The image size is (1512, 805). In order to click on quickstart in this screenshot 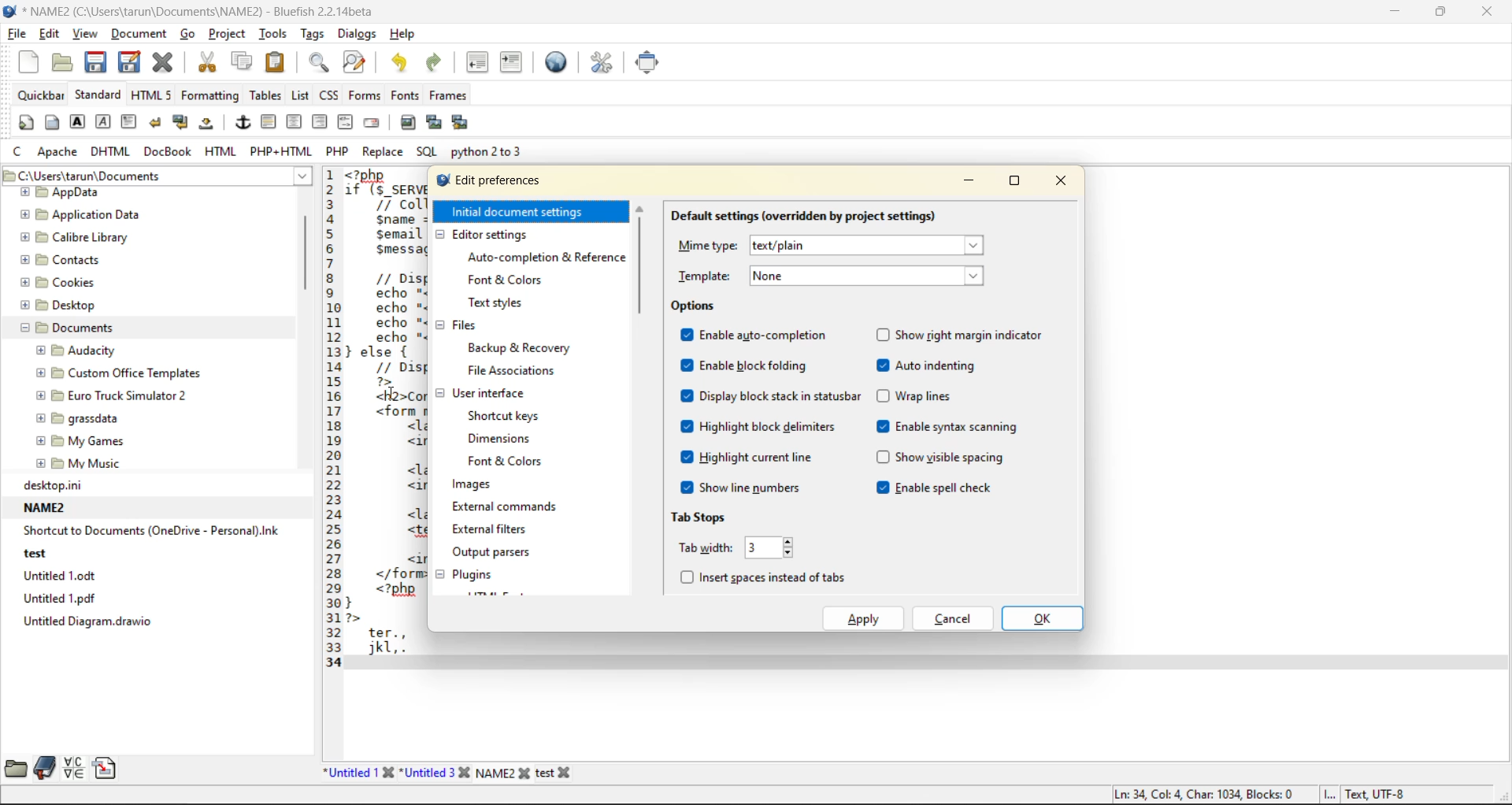, I will do `click(24, 123)`.